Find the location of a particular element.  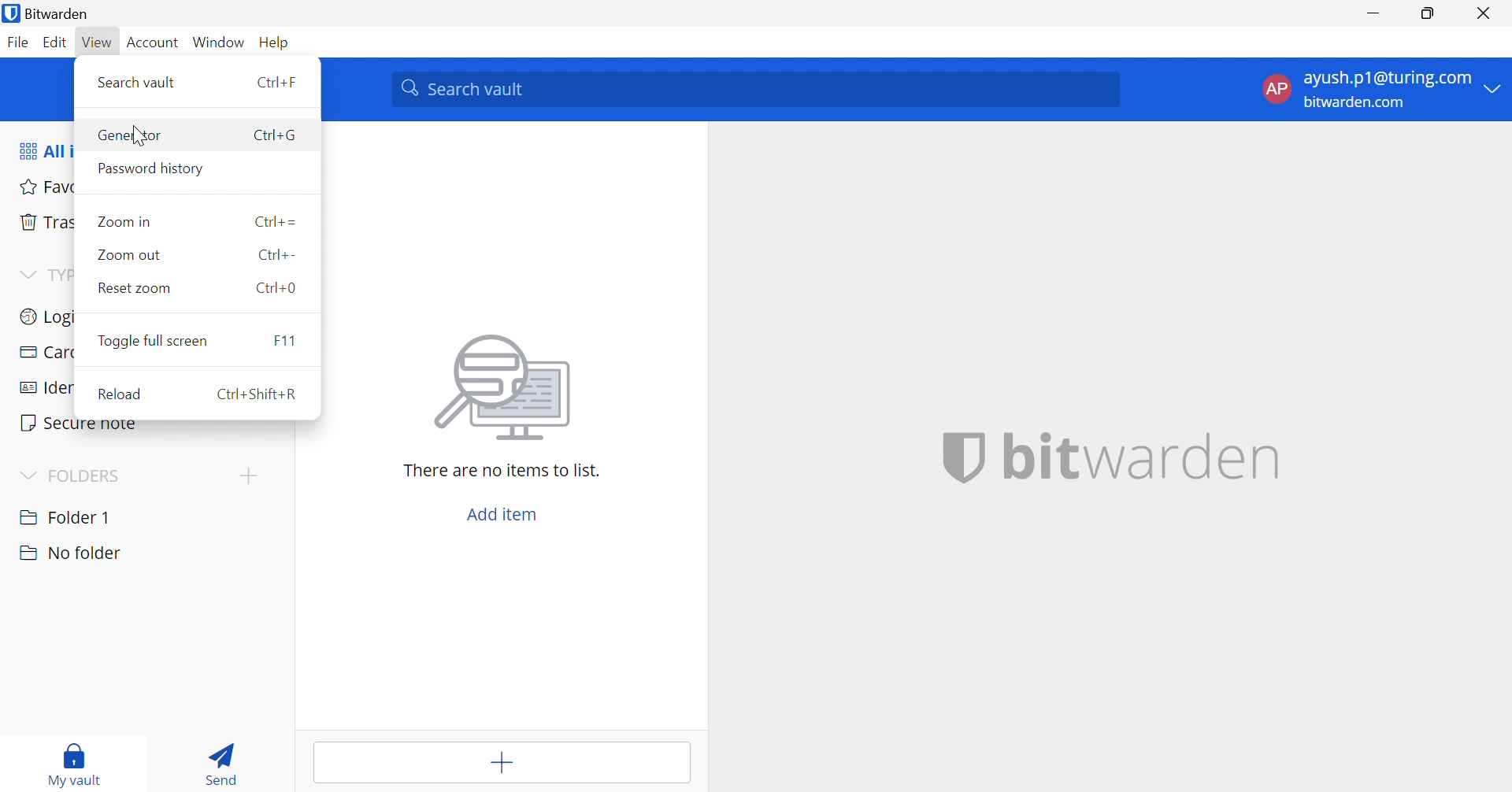

Help is located at coordinates (276, 43).